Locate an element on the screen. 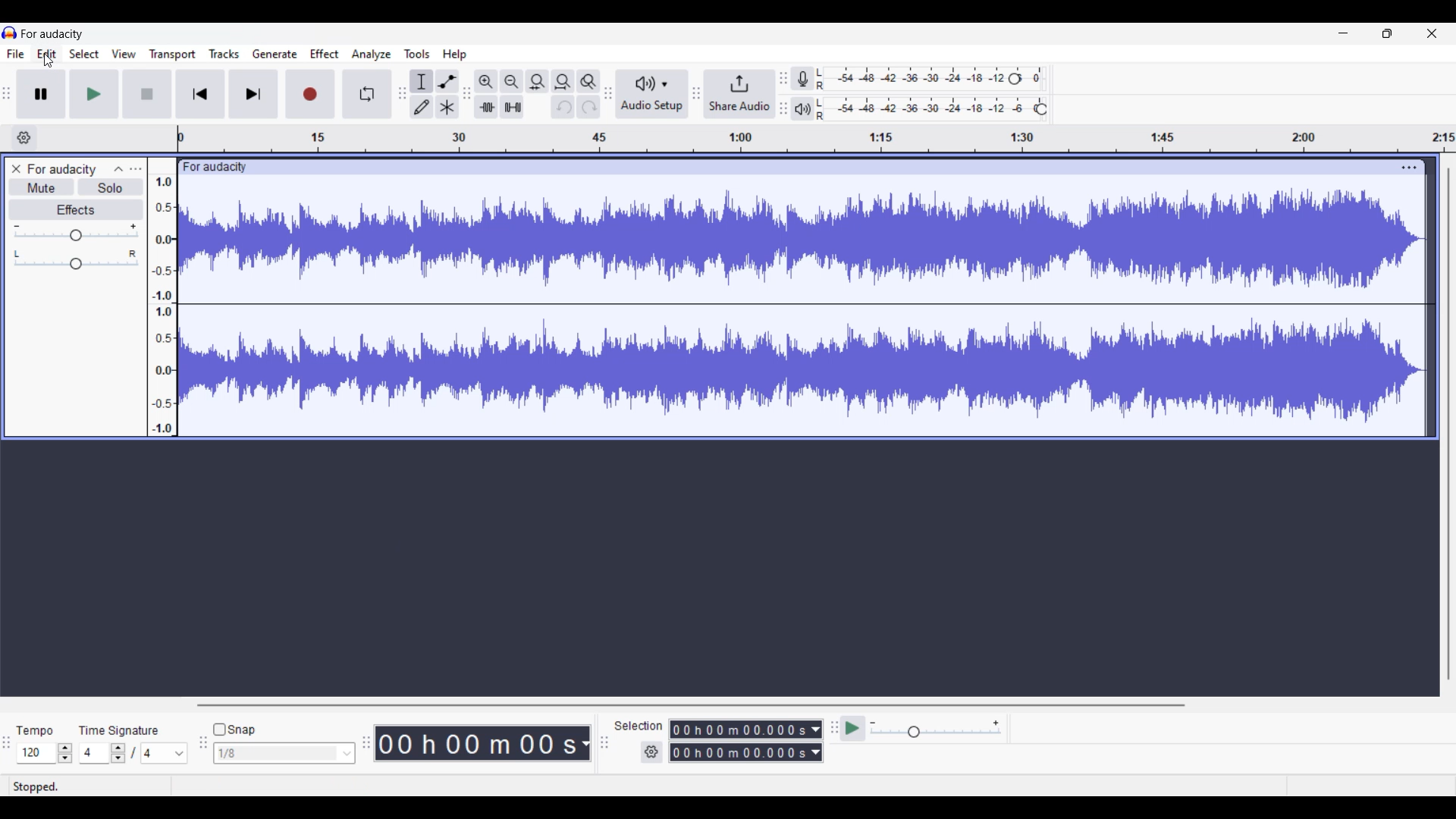 This screenshot has width=1456, height=819. Select menu is located at coordinates (84, 53).